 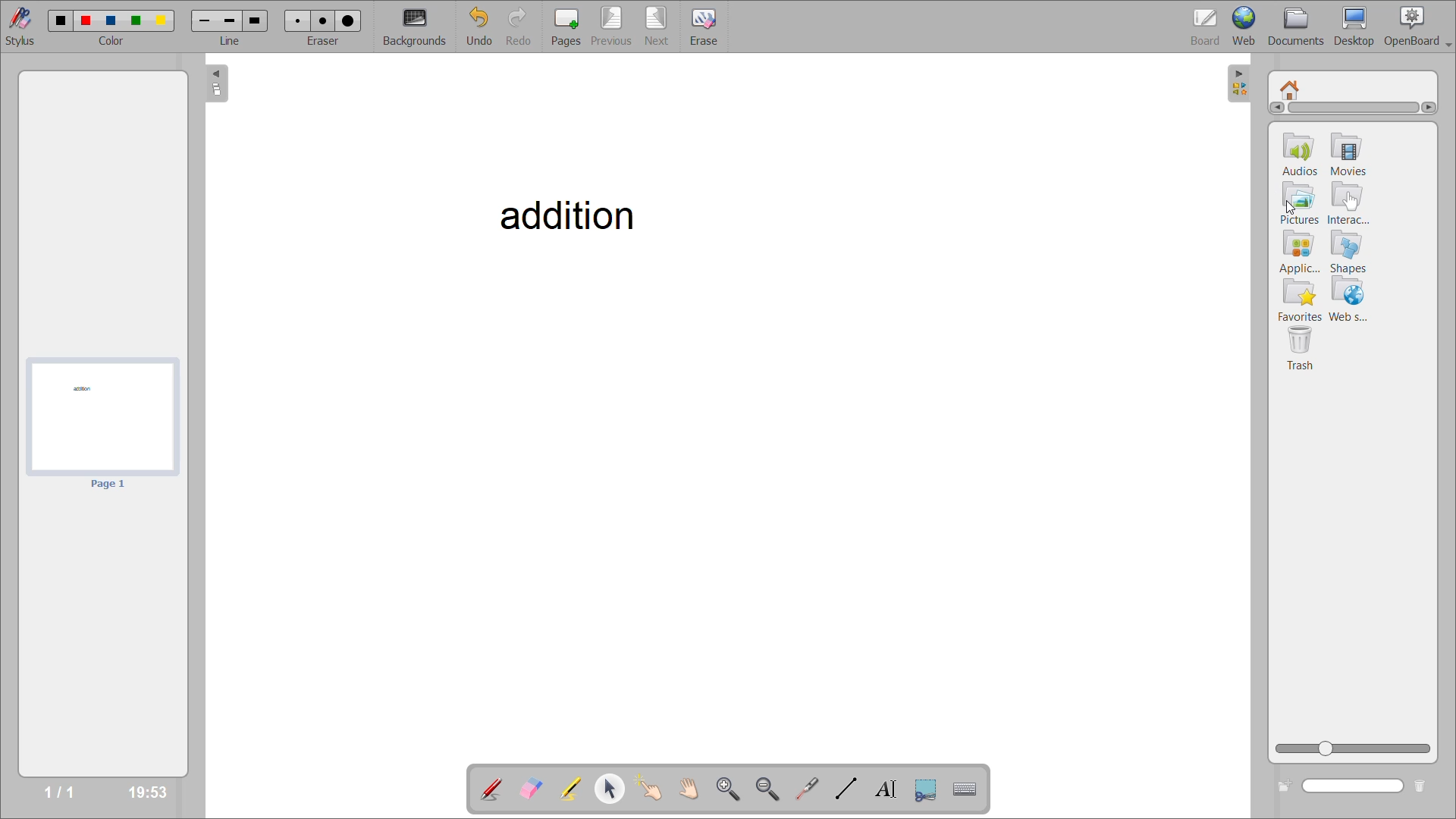 What do you see at coordinates (218, 83) in the screenshot?
I see `collapse page preview` at bounding box center [218, 83].